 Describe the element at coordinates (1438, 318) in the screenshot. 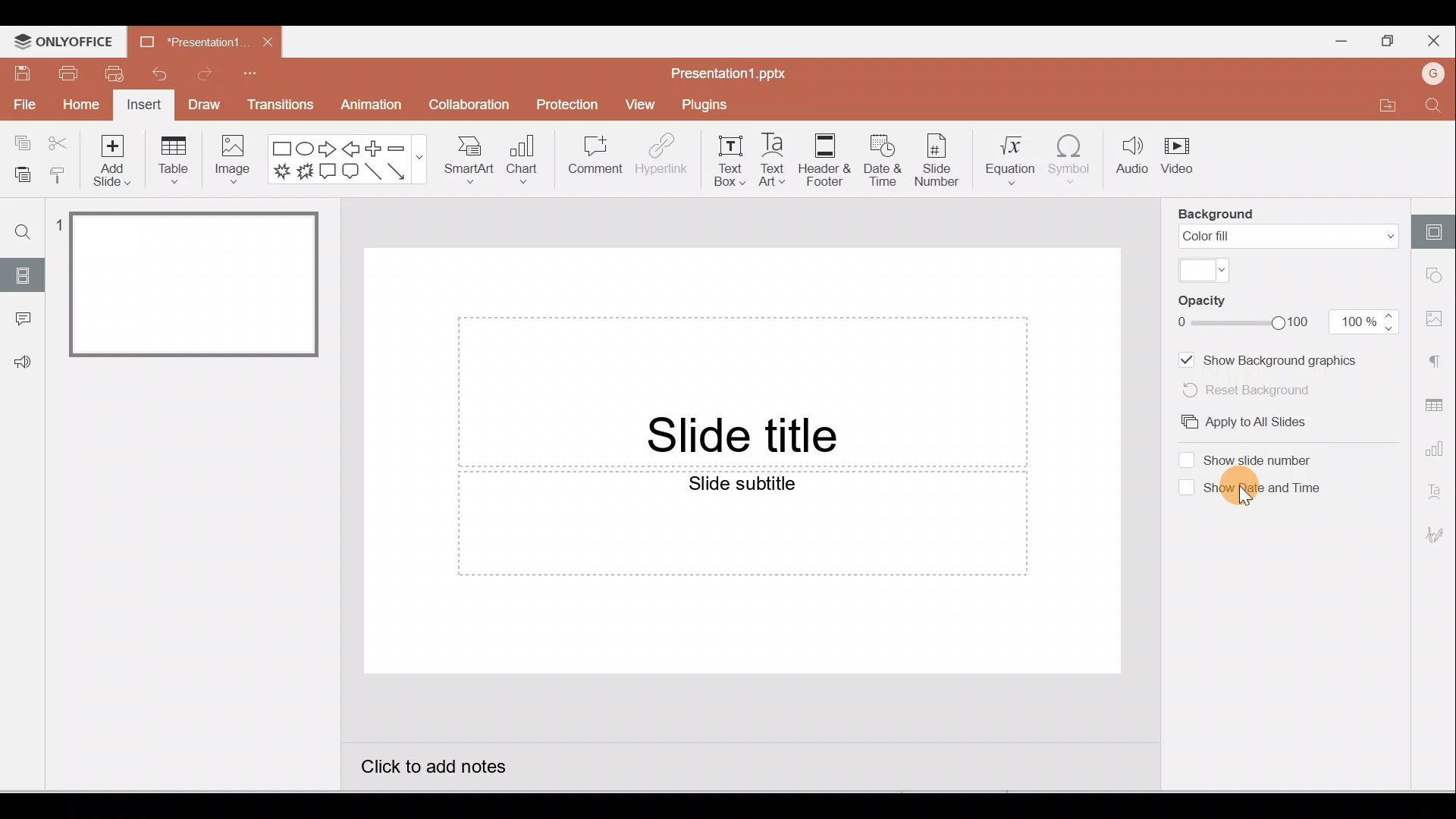

I see `Image settings` at that location.